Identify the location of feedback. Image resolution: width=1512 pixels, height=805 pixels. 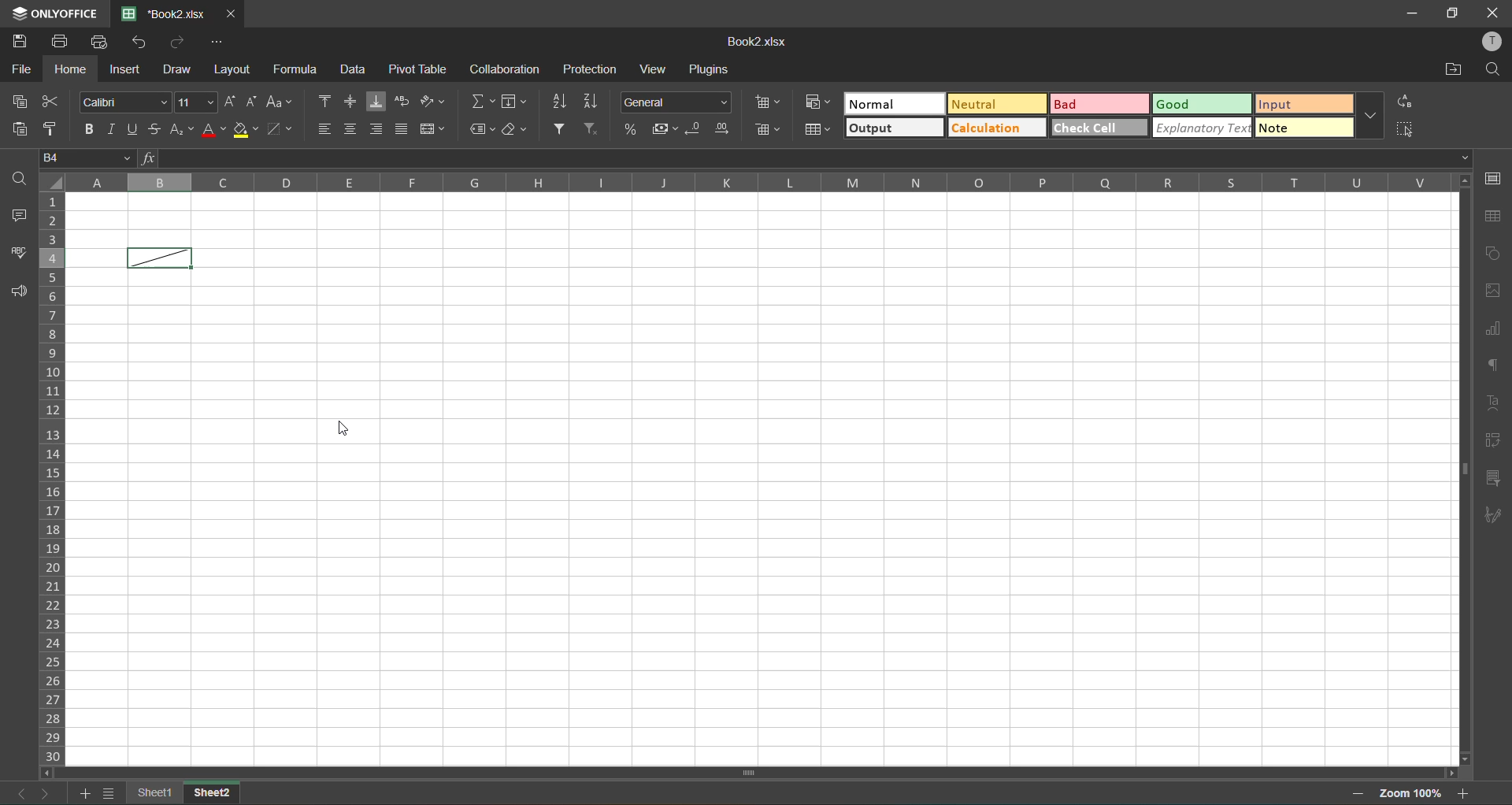
(14, 292).